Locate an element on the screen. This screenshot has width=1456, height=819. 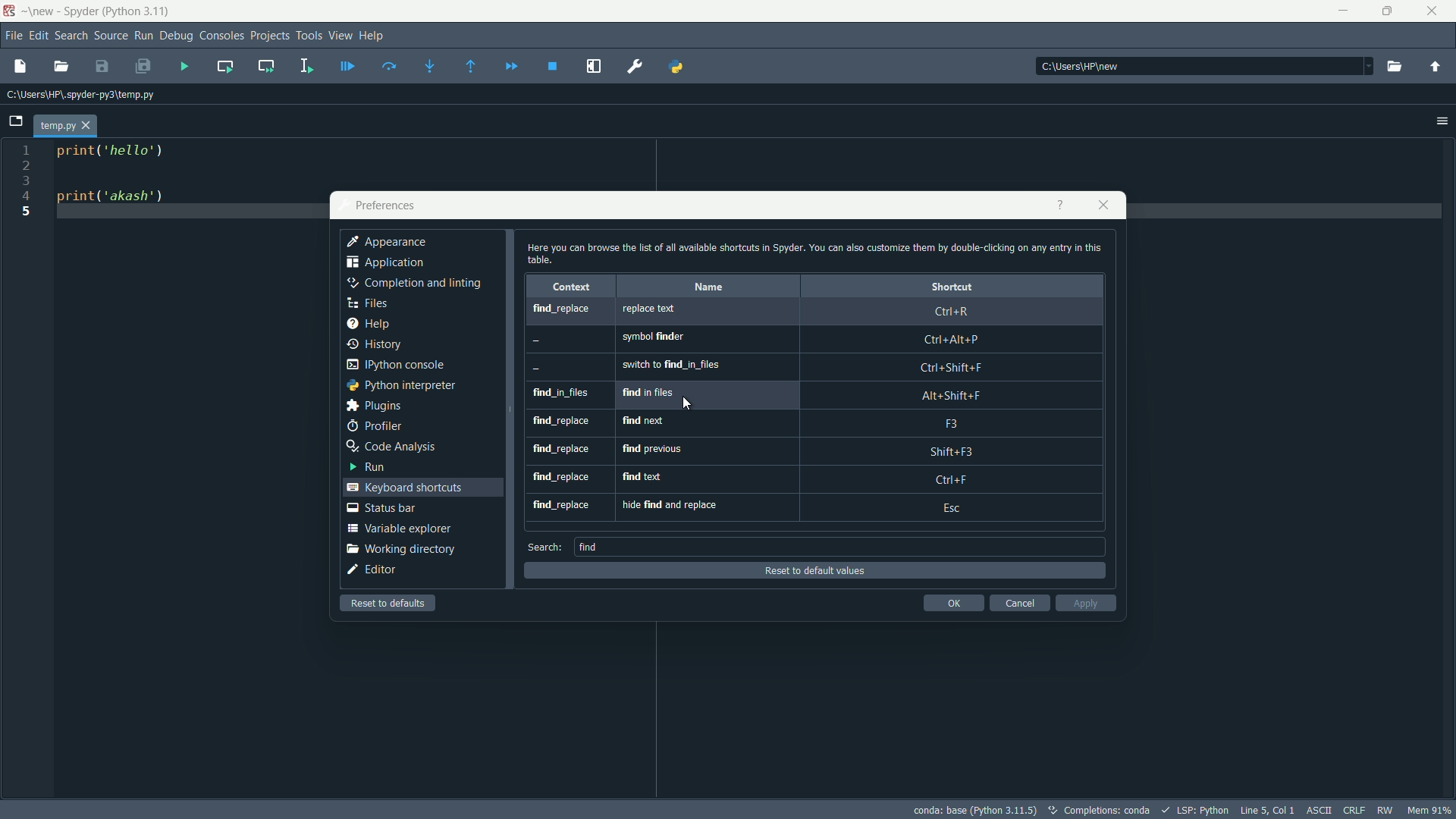
profiler is located at coordinates (372, 425).